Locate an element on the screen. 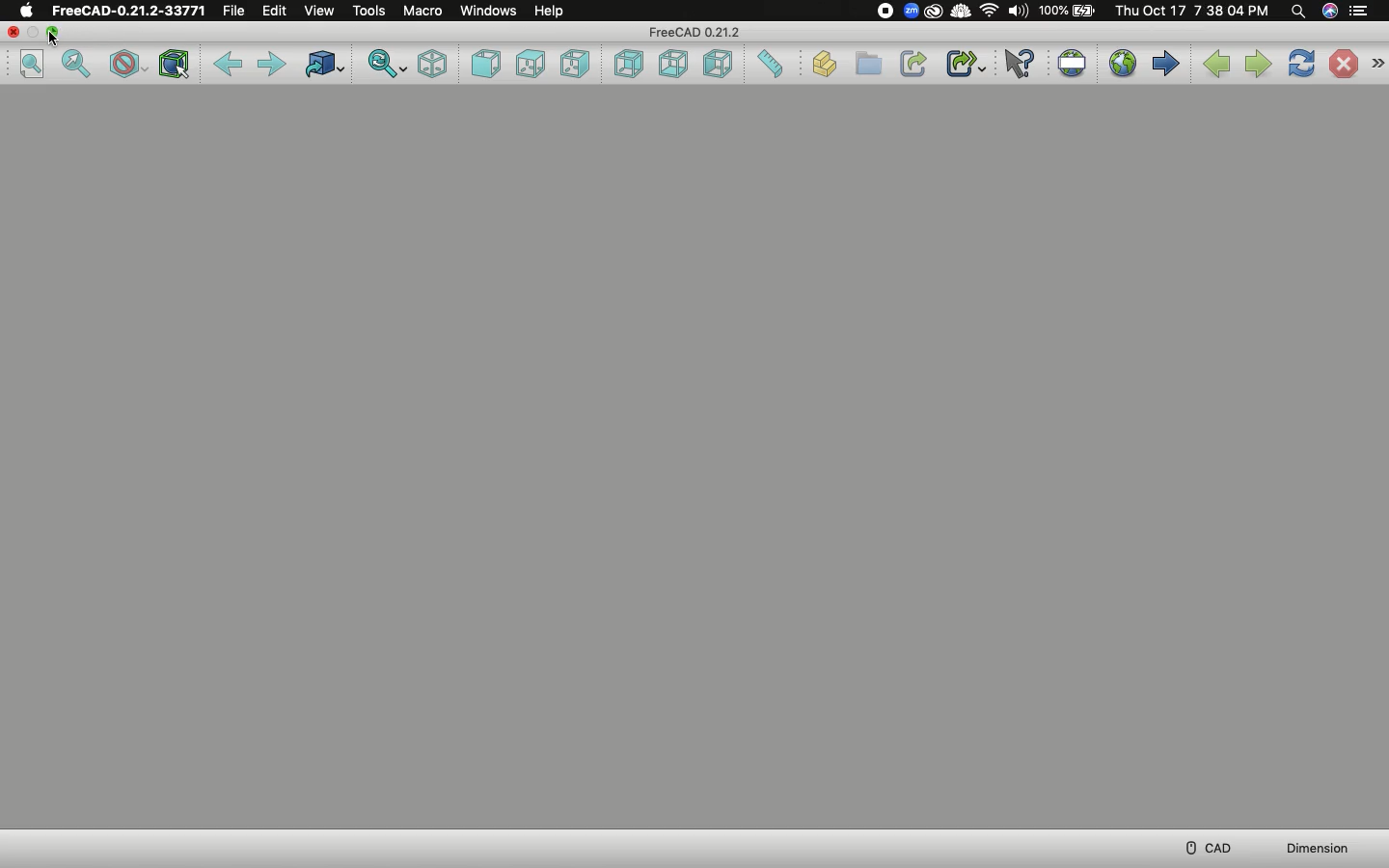  Make link is located at coordinates (912, 65).